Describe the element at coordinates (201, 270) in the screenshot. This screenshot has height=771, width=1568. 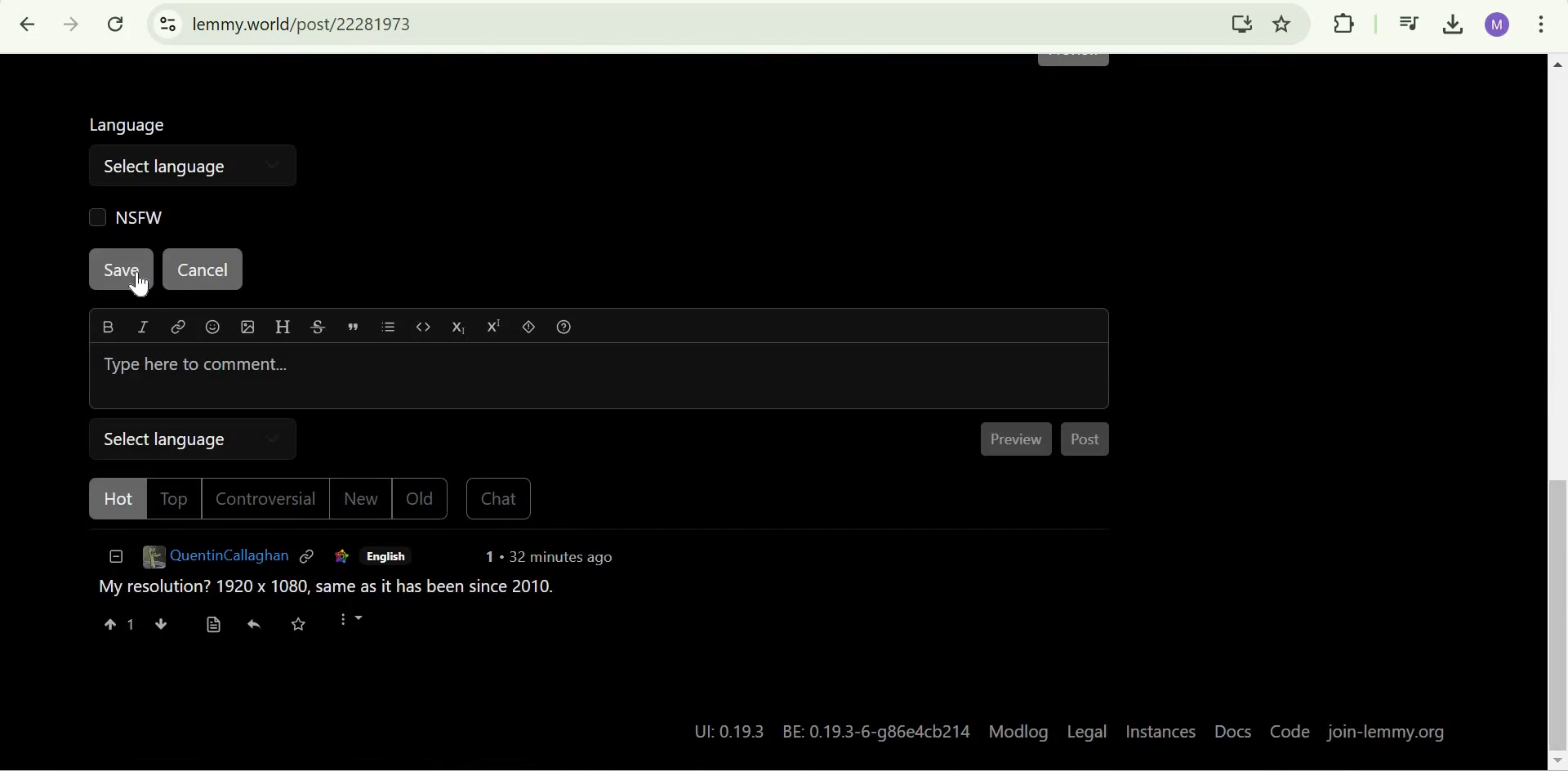
I see `Cancel` at that location.